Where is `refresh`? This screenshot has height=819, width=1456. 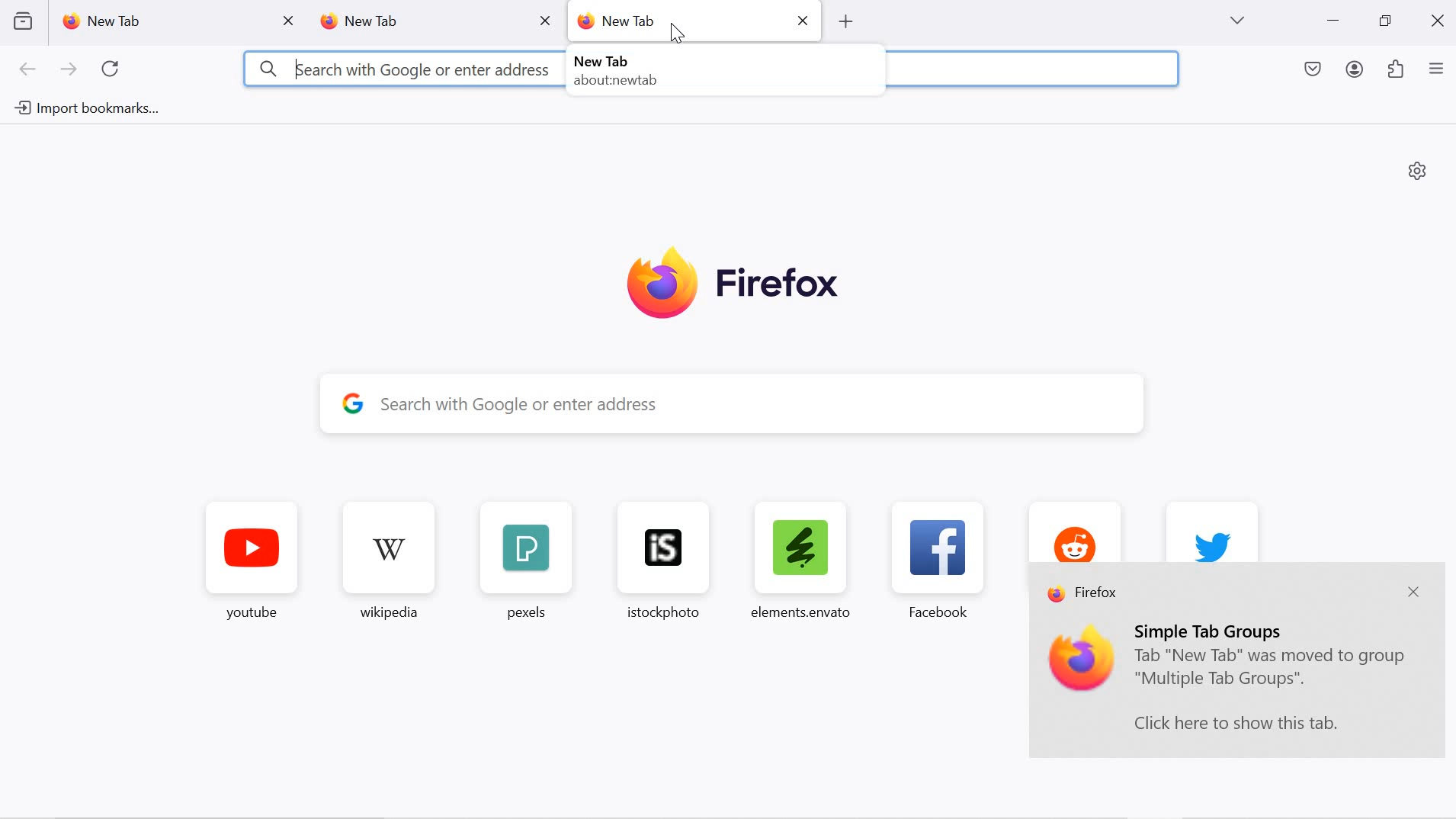
refresh is located at coordinates (111, 69).